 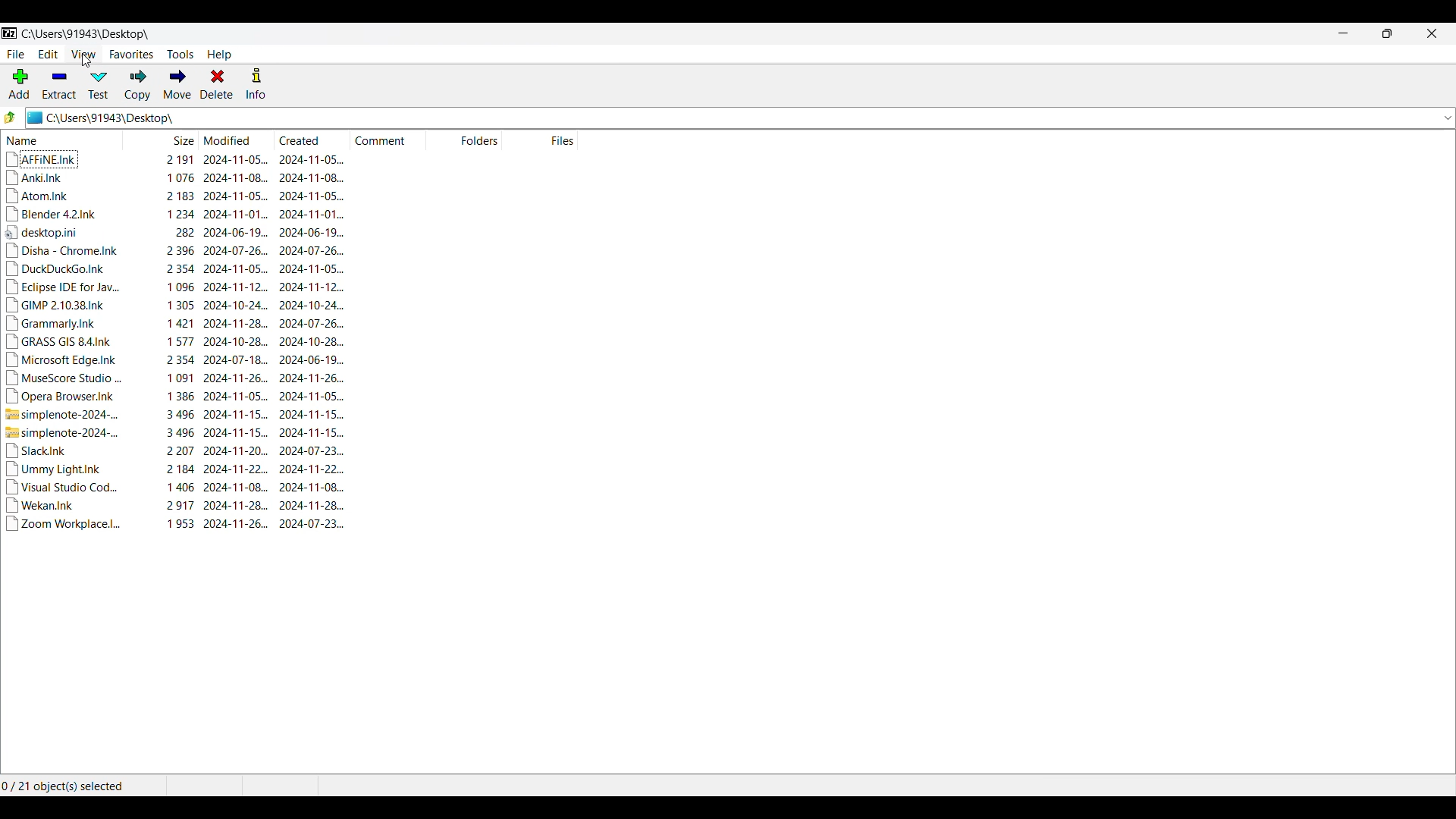 I want to click on C:\Users\91943\Desktop\, so click(x=81, y=34).